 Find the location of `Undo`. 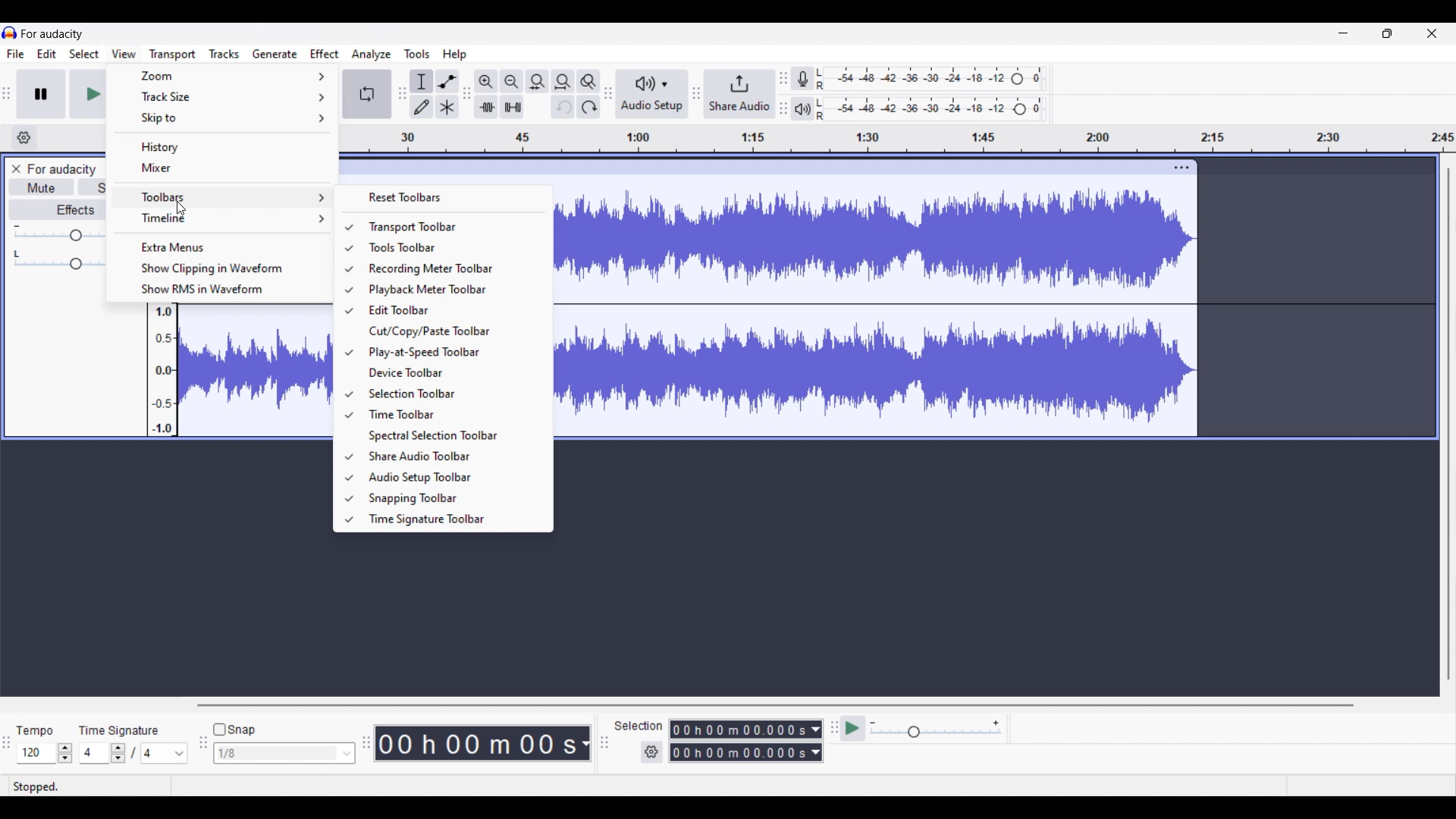

Undo is located at coordinates (563, 106).